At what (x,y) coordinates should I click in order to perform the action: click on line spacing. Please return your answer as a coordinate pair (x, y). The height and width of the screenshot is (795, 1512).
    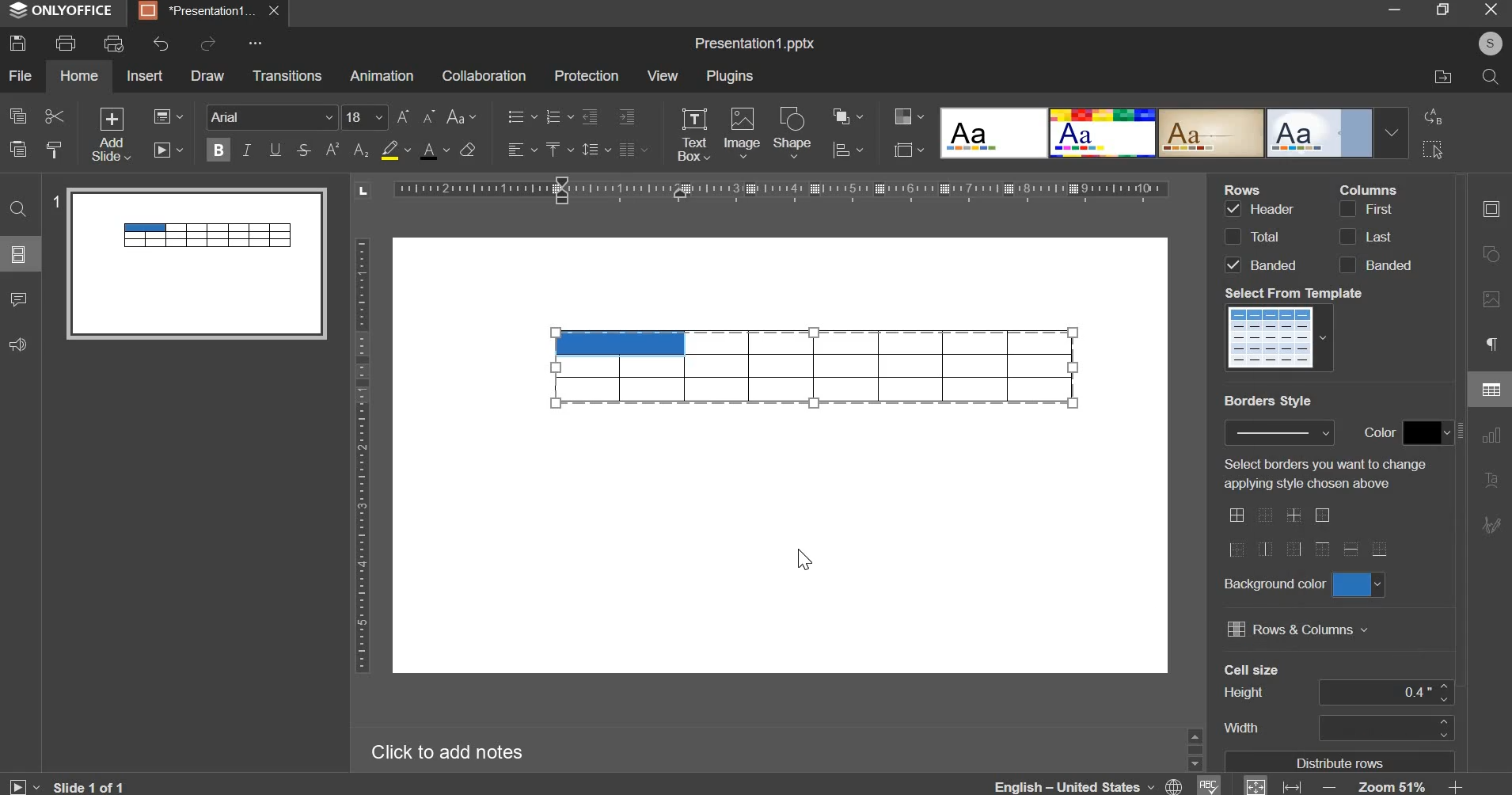
    Looking at the image, I should click on (595, 150).